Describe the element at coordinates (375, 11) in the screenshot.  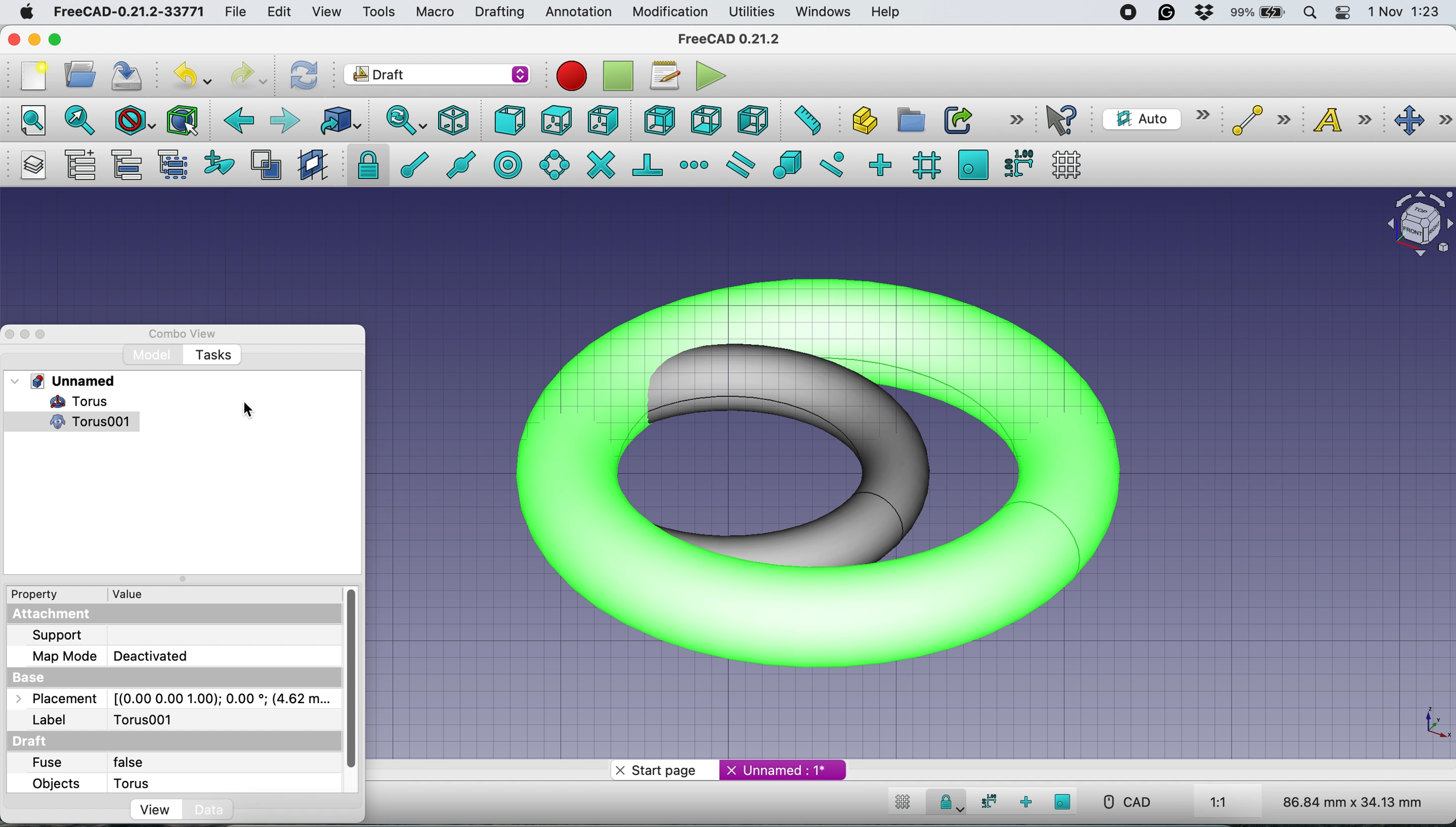
I see `tools` at that location.